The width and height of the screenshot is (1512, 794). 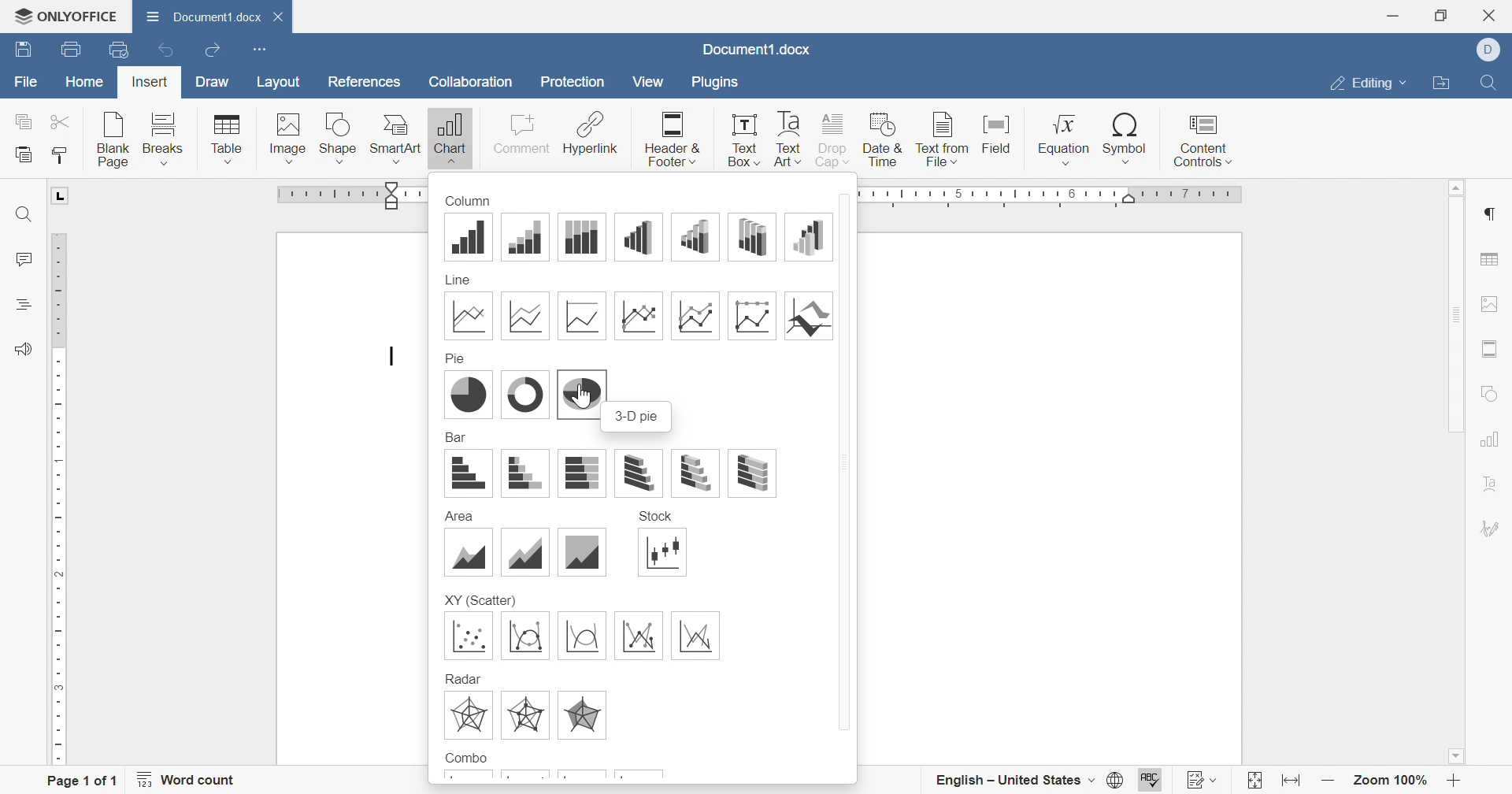 What do you see at coordinates (721, 83) in the screenshot?
I see `Plugins` at bounding box center [721, 83].